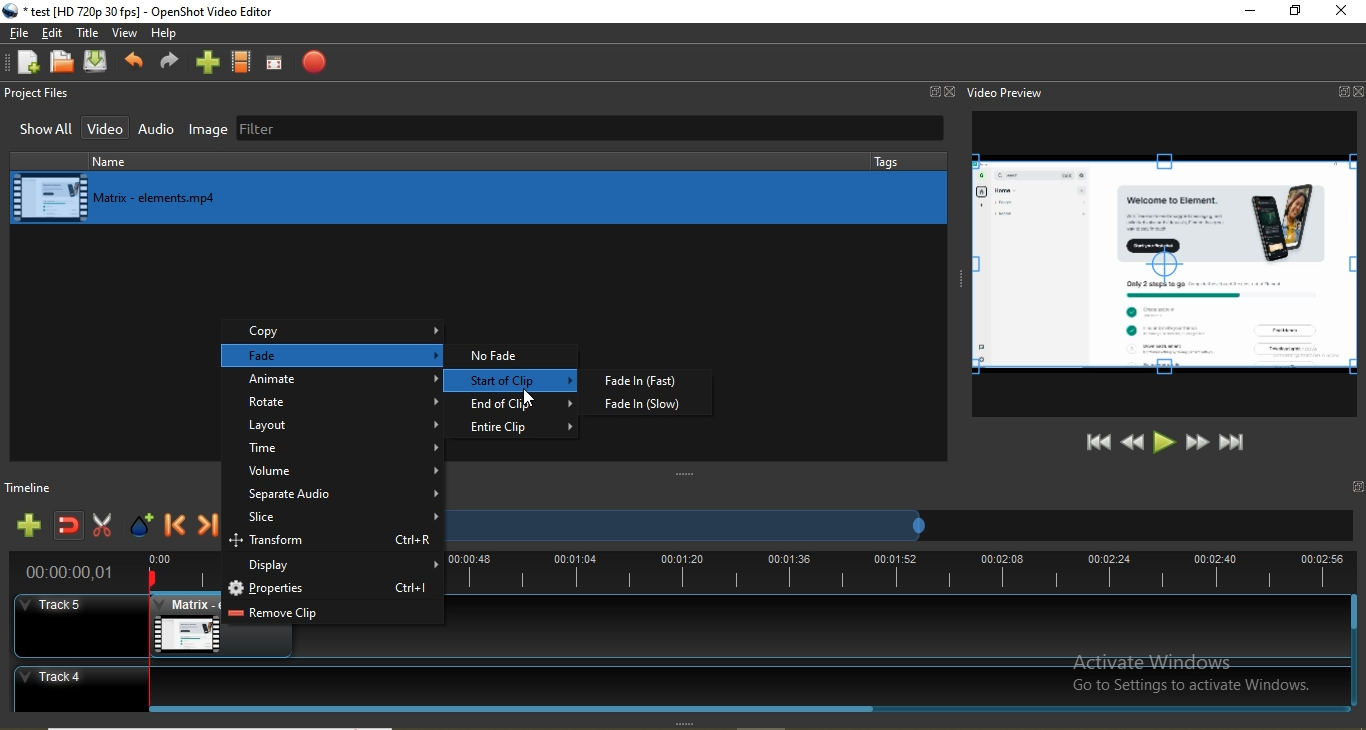 The height and width of the screenshot is (730, 1366). I want to click on Undo, so click(136, 63).